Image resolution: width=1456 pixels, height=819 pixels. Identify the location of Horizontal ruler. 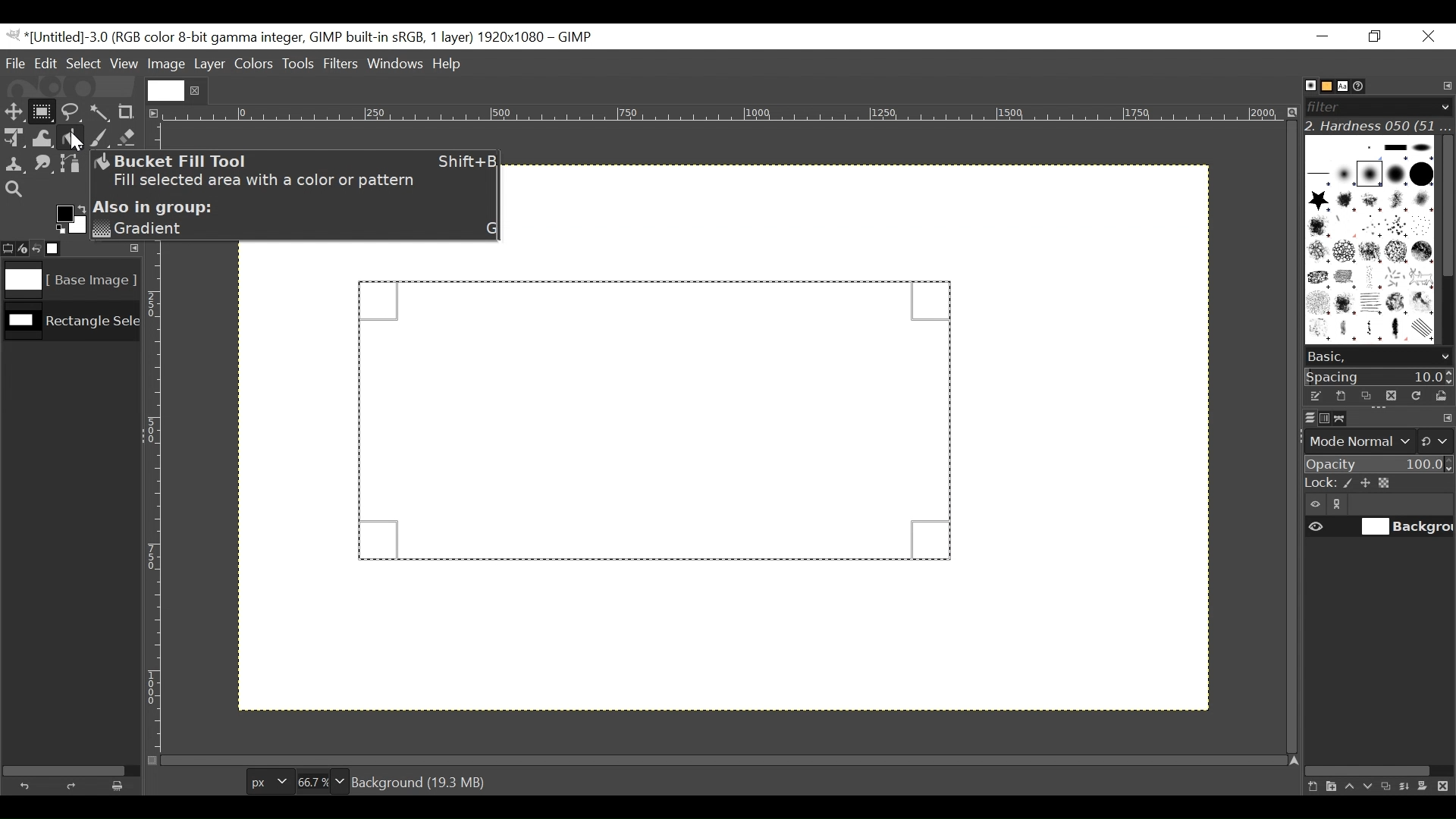
(725, 116).